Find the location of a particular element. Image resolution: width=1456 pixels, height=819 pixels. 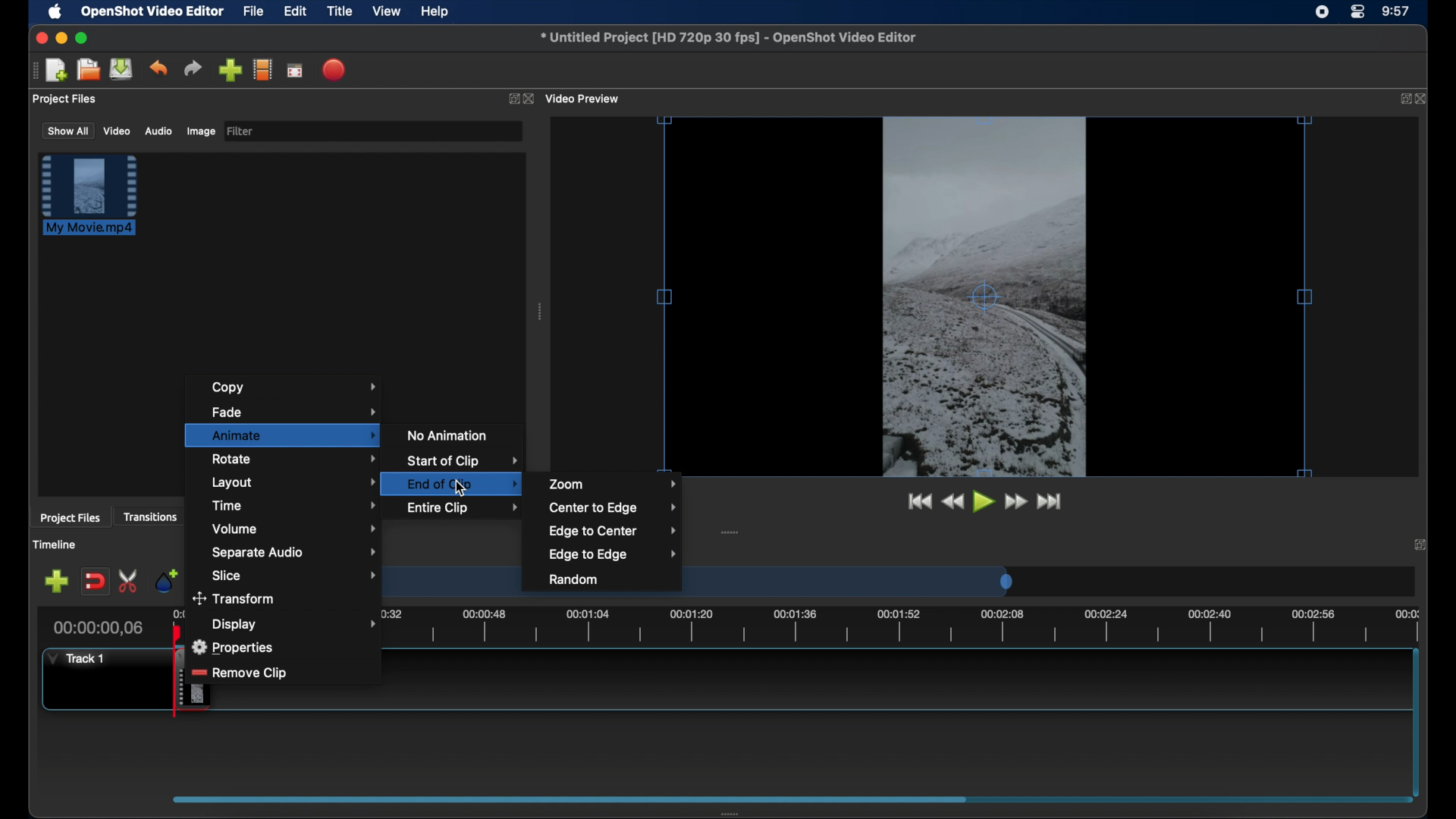

track 1 is located at coordinates (80, 658).